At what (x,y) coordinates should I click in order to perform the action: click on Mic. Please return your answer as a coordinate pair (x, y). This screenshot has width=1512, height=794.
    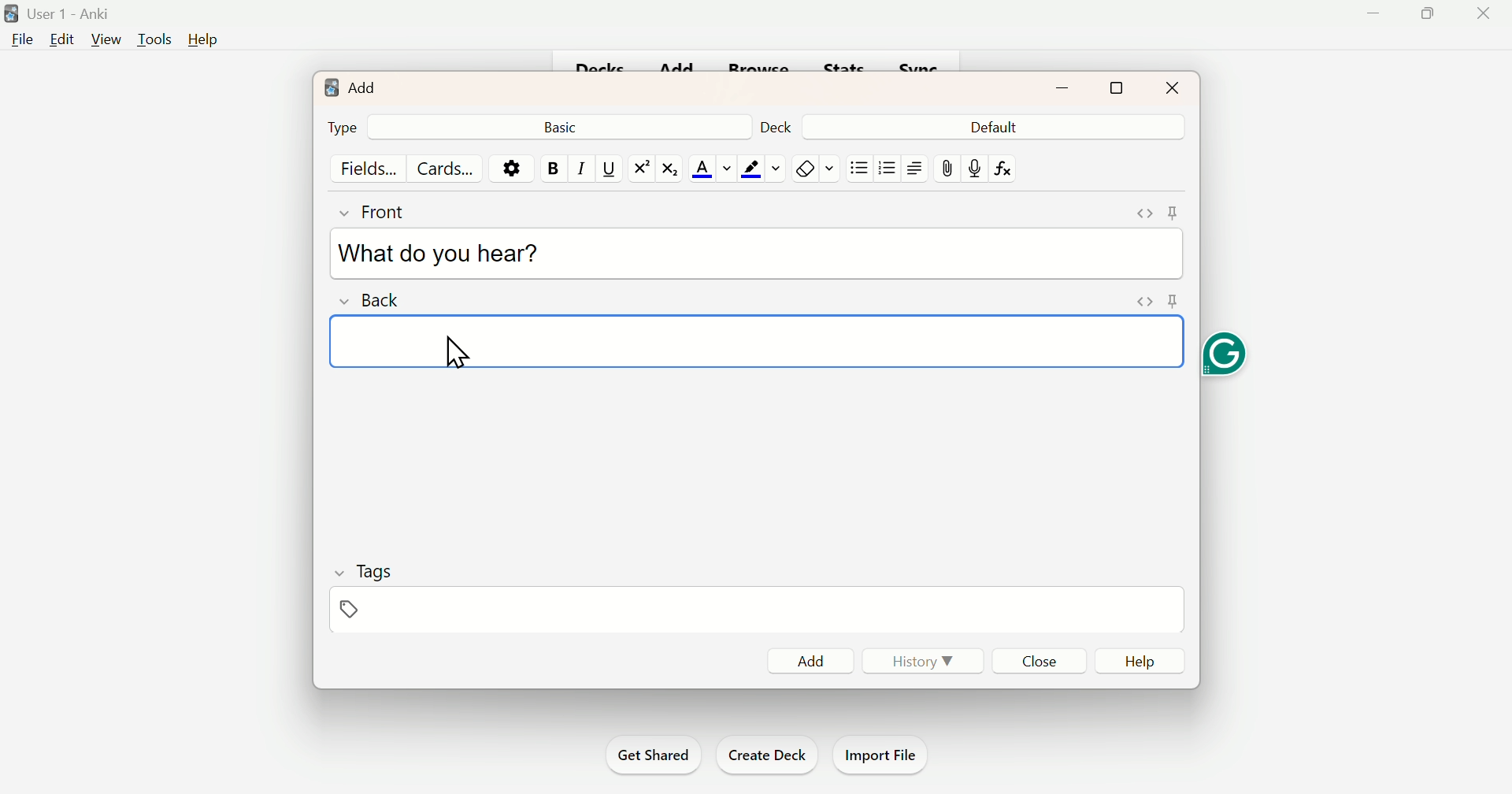
    Looking at the image, I should click on (973, 165).